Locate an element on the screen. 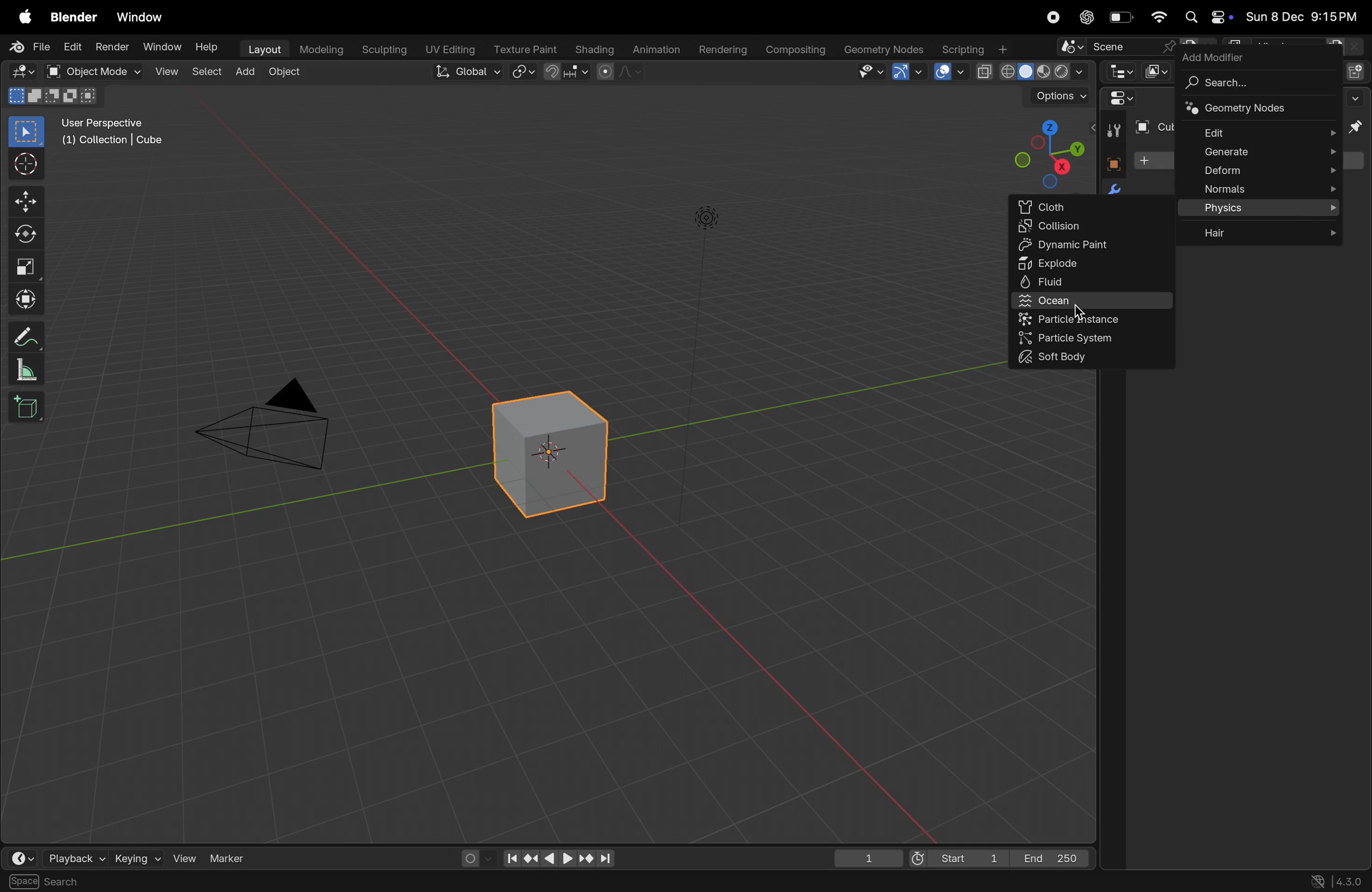 Image resolution: width=1372 pixels, height=892 pixels. render is located at coordinates (111, 47).